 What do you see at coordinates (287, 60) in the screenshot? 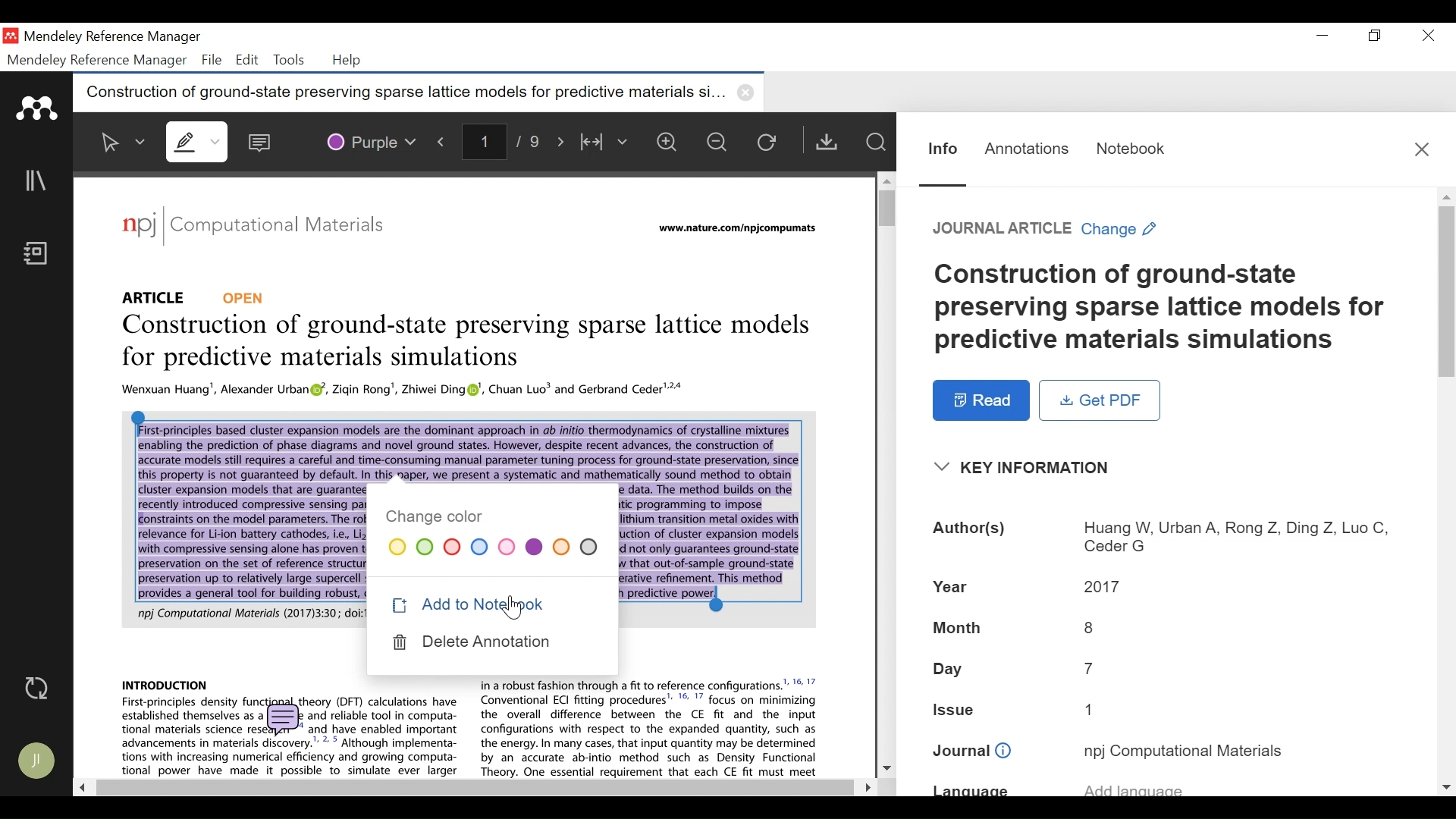
I see `Tools` at bounding box center [287, 60].